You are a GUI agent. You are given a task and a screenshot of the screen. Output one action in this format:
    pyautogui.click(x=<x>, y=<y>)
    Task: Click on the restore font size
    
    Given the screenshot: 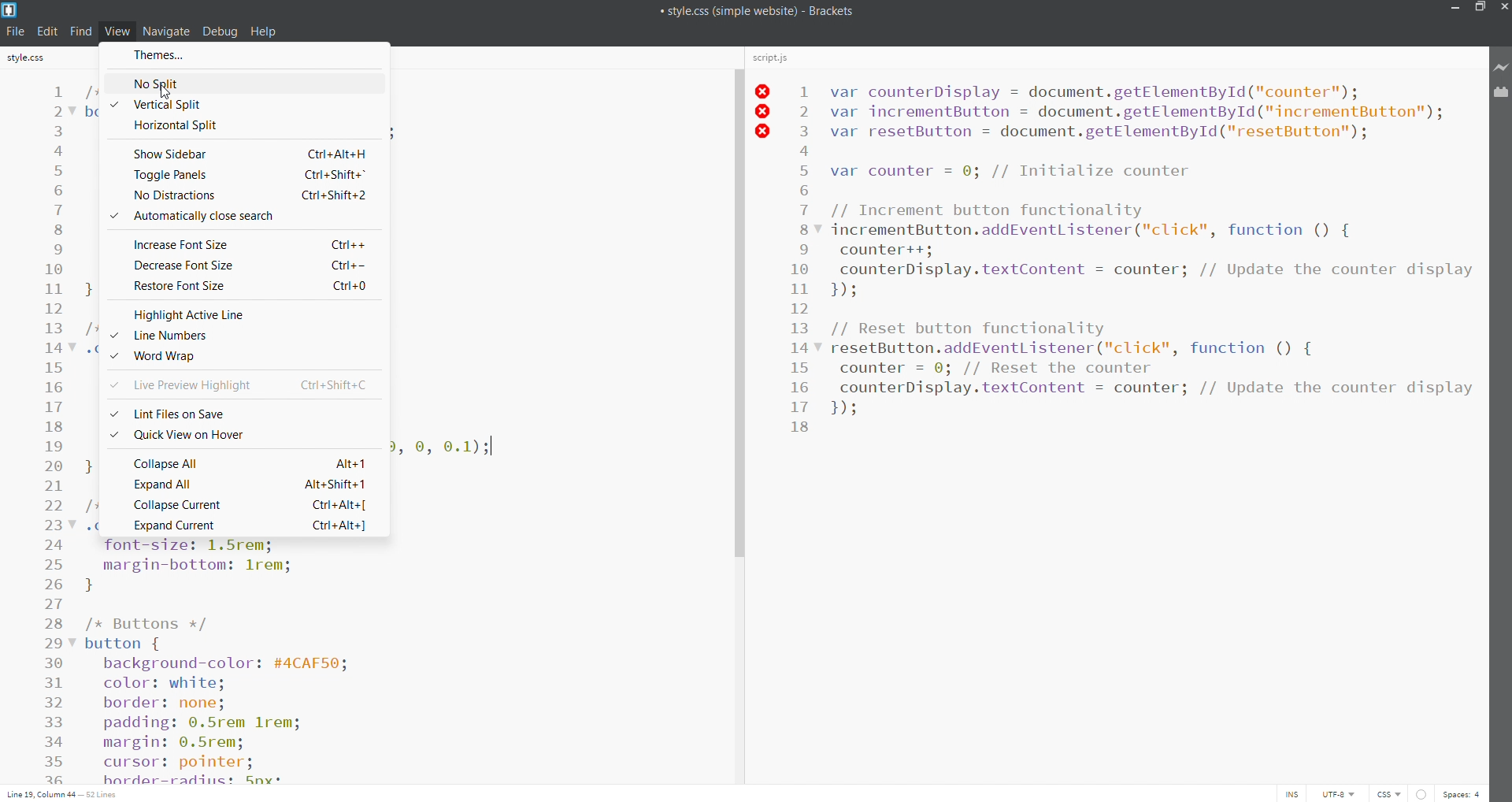 What is the action you would take?
    pyautogui.click(x=245, y=284)
    